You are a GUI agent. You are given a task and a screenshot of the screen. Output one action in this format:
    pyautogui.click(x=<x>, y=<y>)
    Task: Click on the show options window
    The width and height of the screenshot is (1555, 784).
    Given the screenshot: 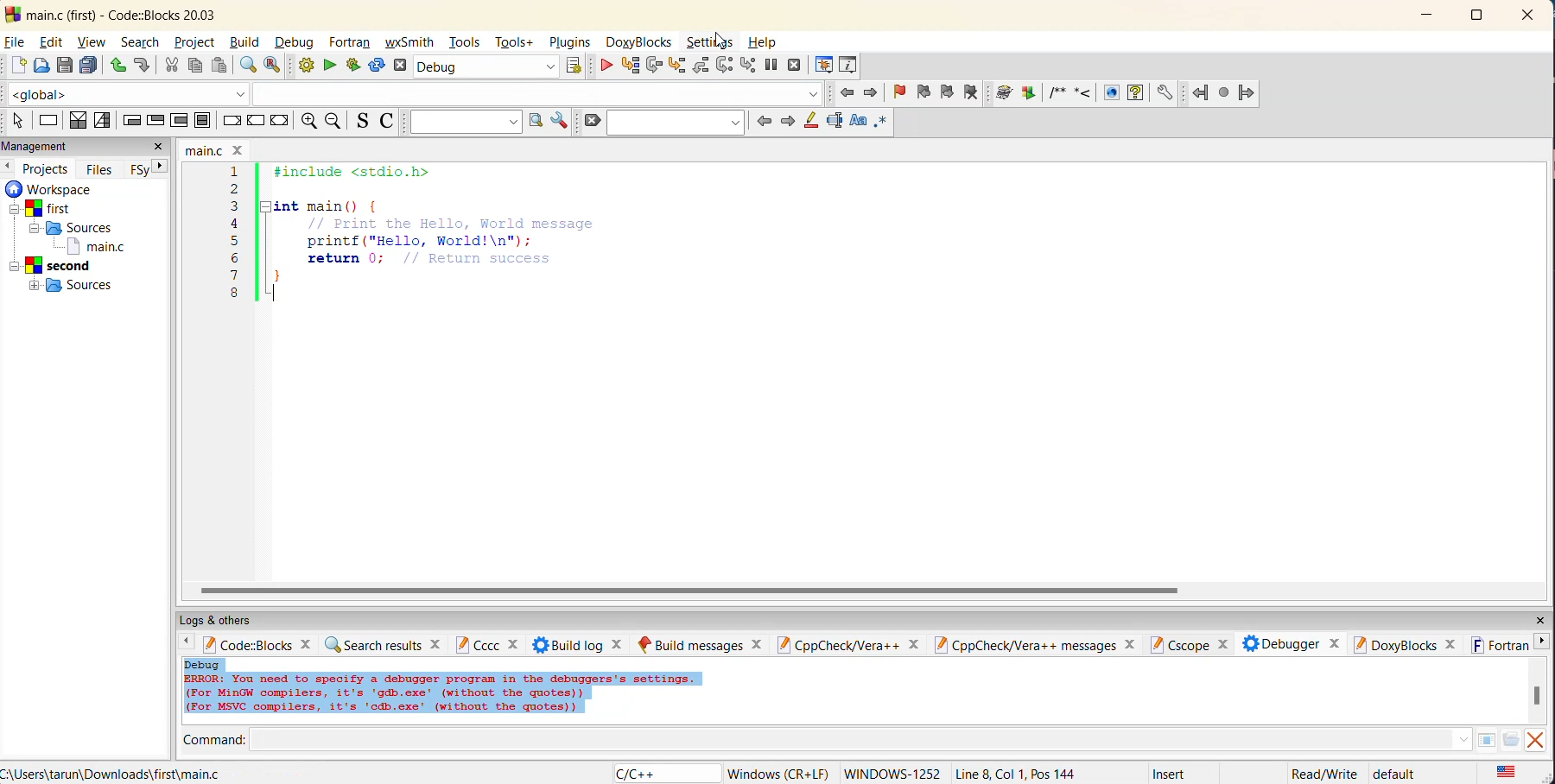 What is the action you would take?
    pyautogui.click(x=562, y=119)
    